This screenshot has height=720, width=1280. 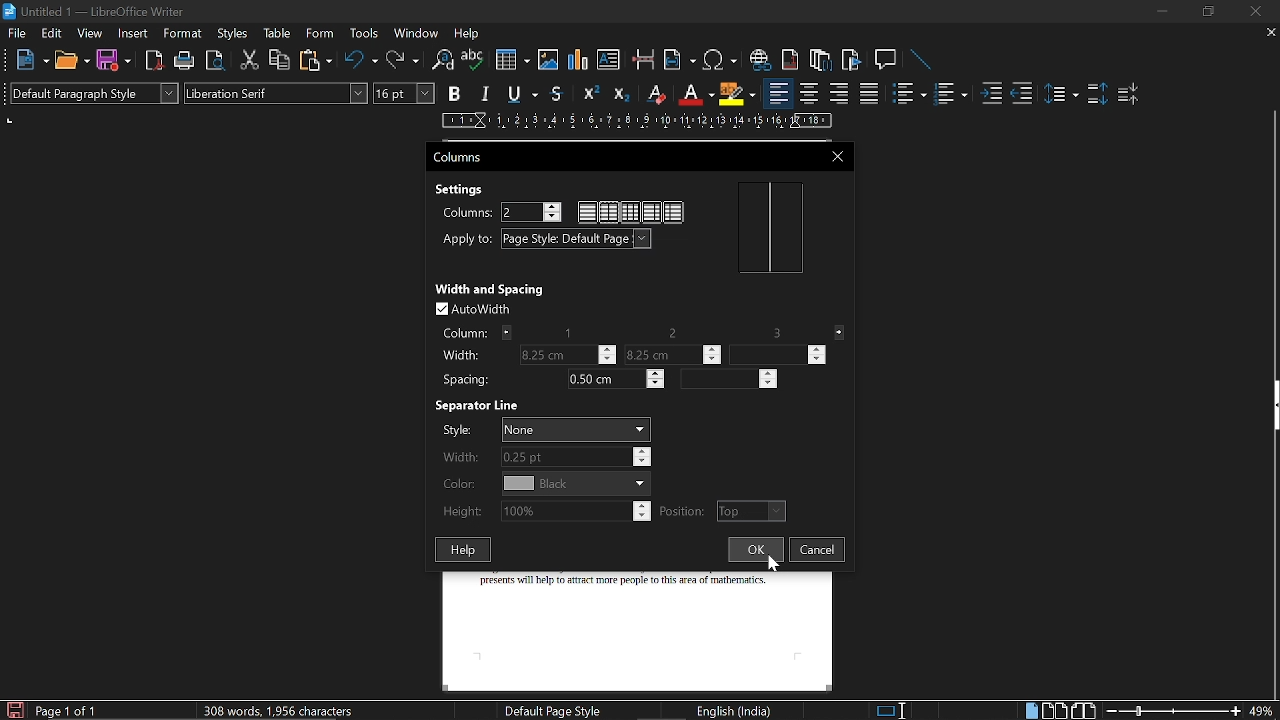 I want to click on Apply to, so click(x=577, y=238).